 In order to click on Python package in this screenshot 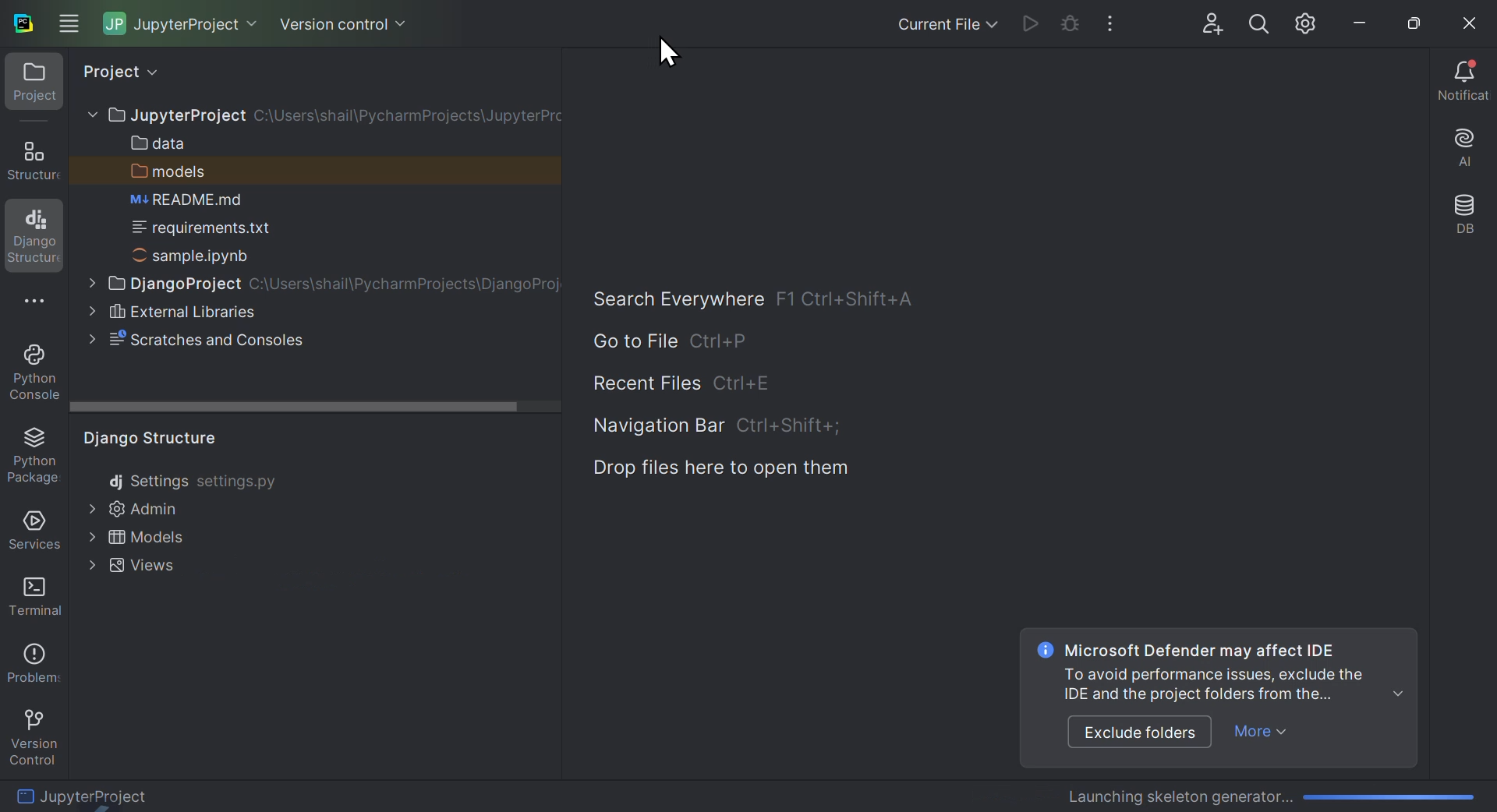, I will do `click(31, 457)`.